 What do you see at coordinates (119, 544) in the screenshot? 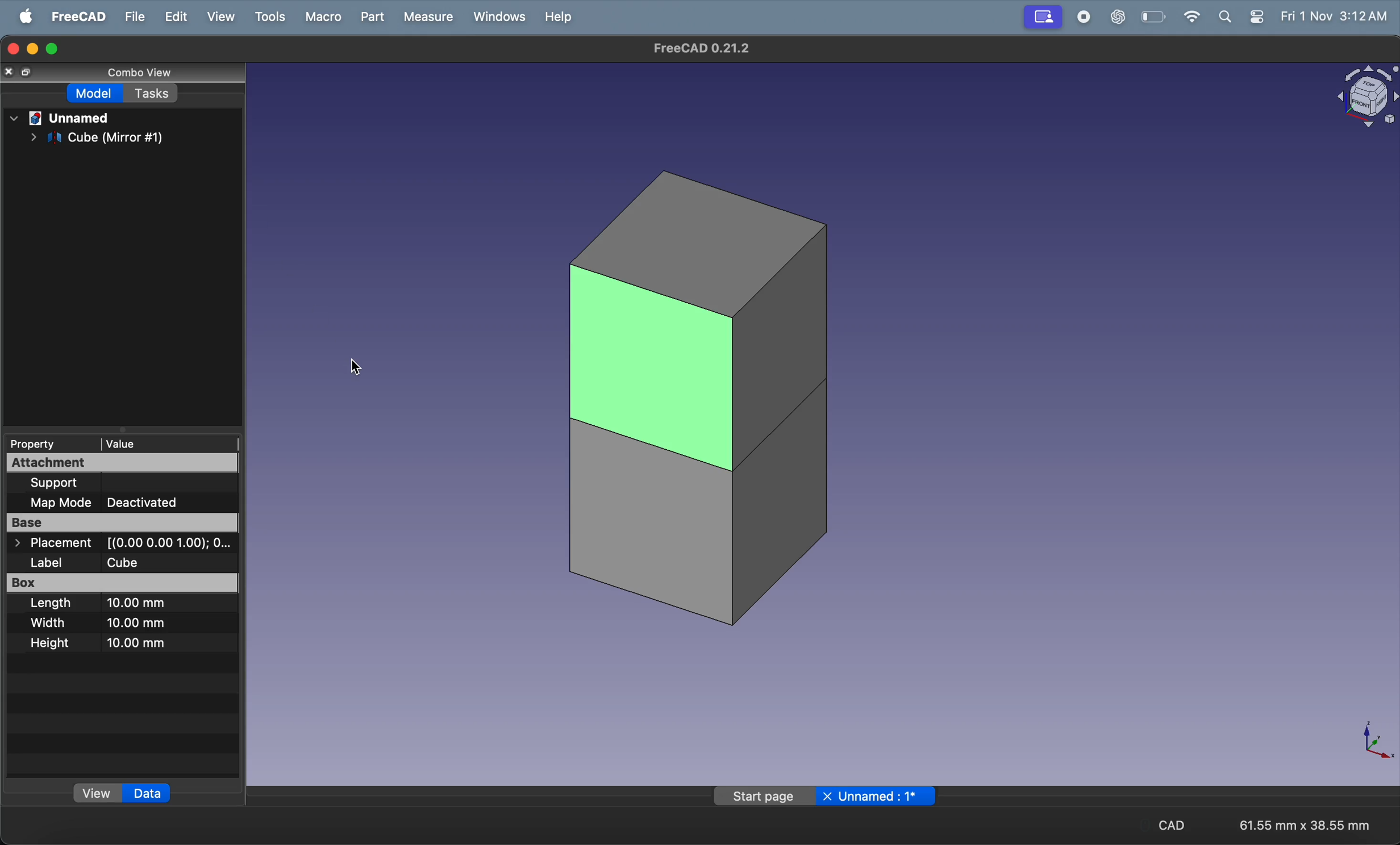
I see `> Placement [(0.00 0.00 1.00); O...` at bounding box center [119, 544].